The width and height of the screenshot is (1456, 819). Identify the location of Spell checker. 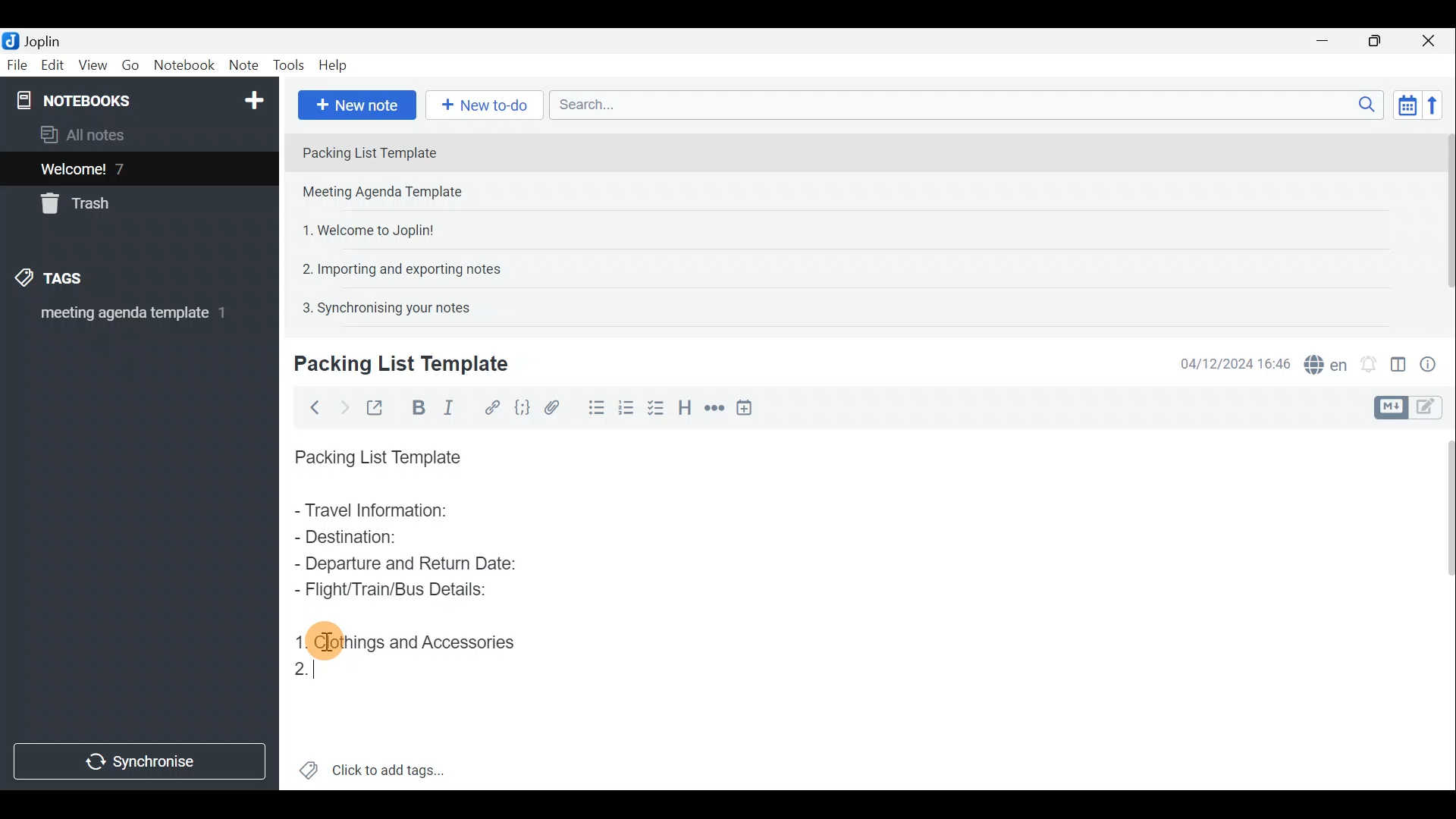
(1322, 362).